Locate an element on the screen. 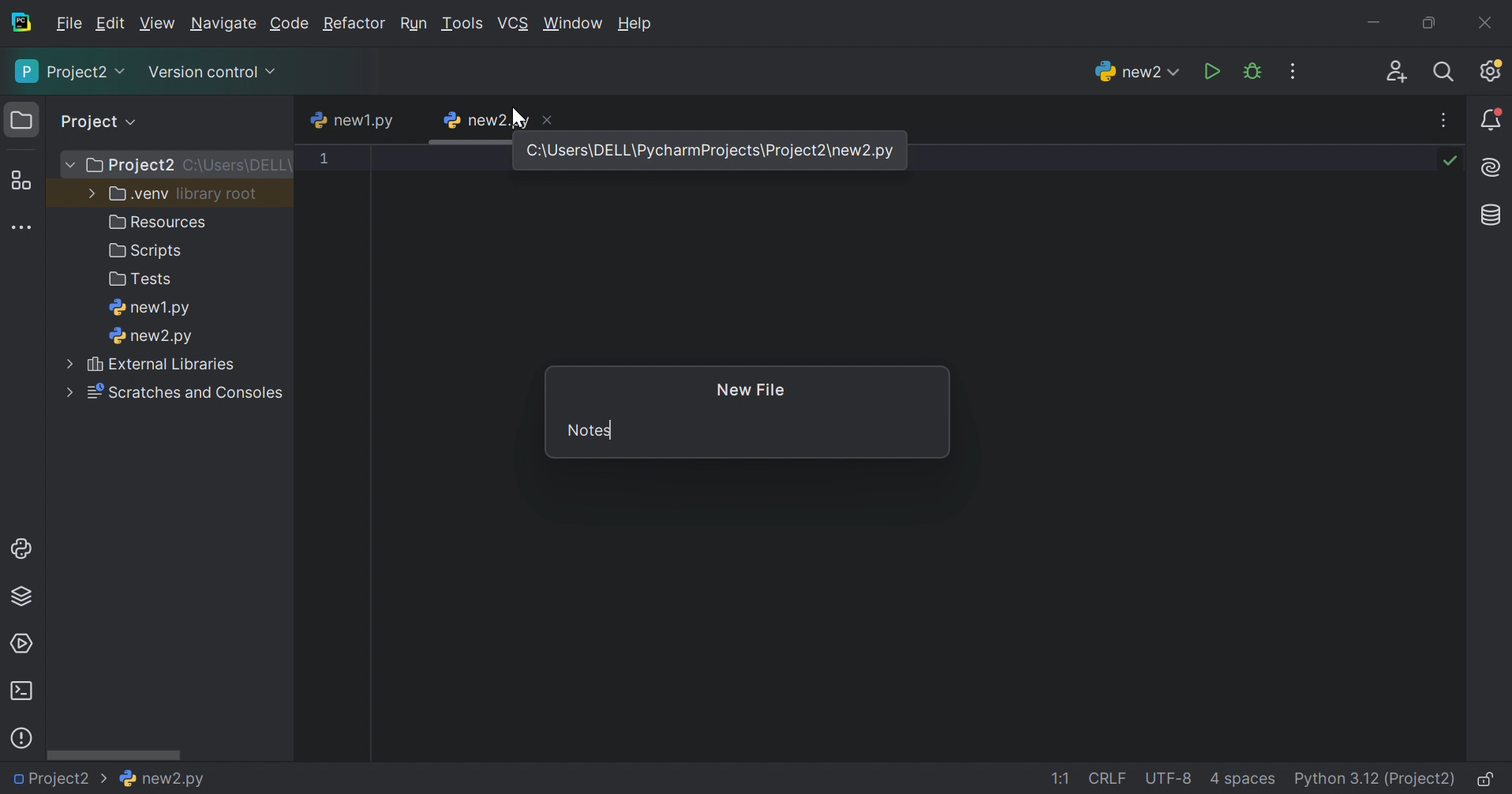 The width and height of the screenshot is (1512, 794). new2.py is located at coordinates (484, 120).